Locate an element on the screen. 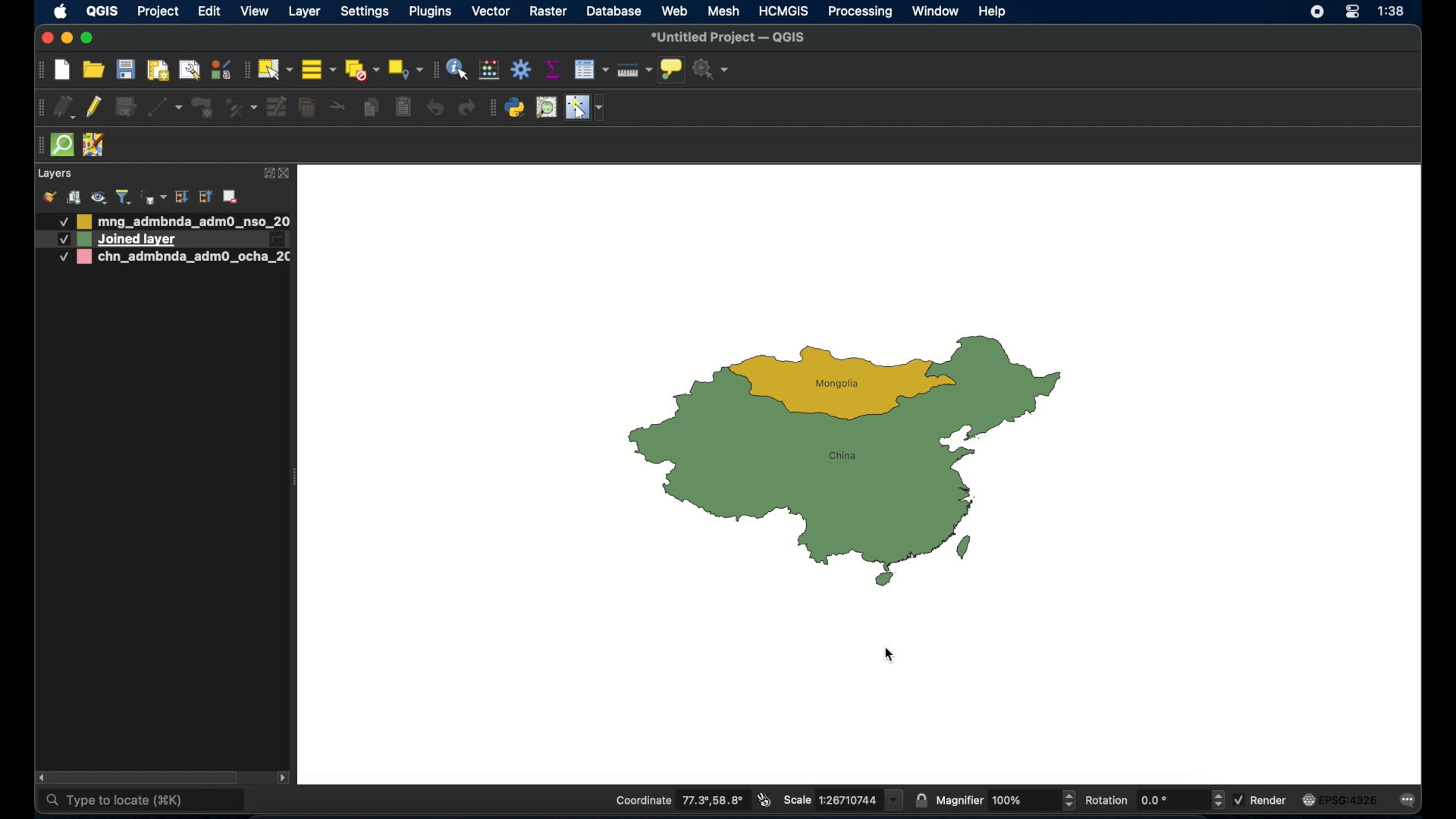  magnifier is located at coordinates (1006, 801).